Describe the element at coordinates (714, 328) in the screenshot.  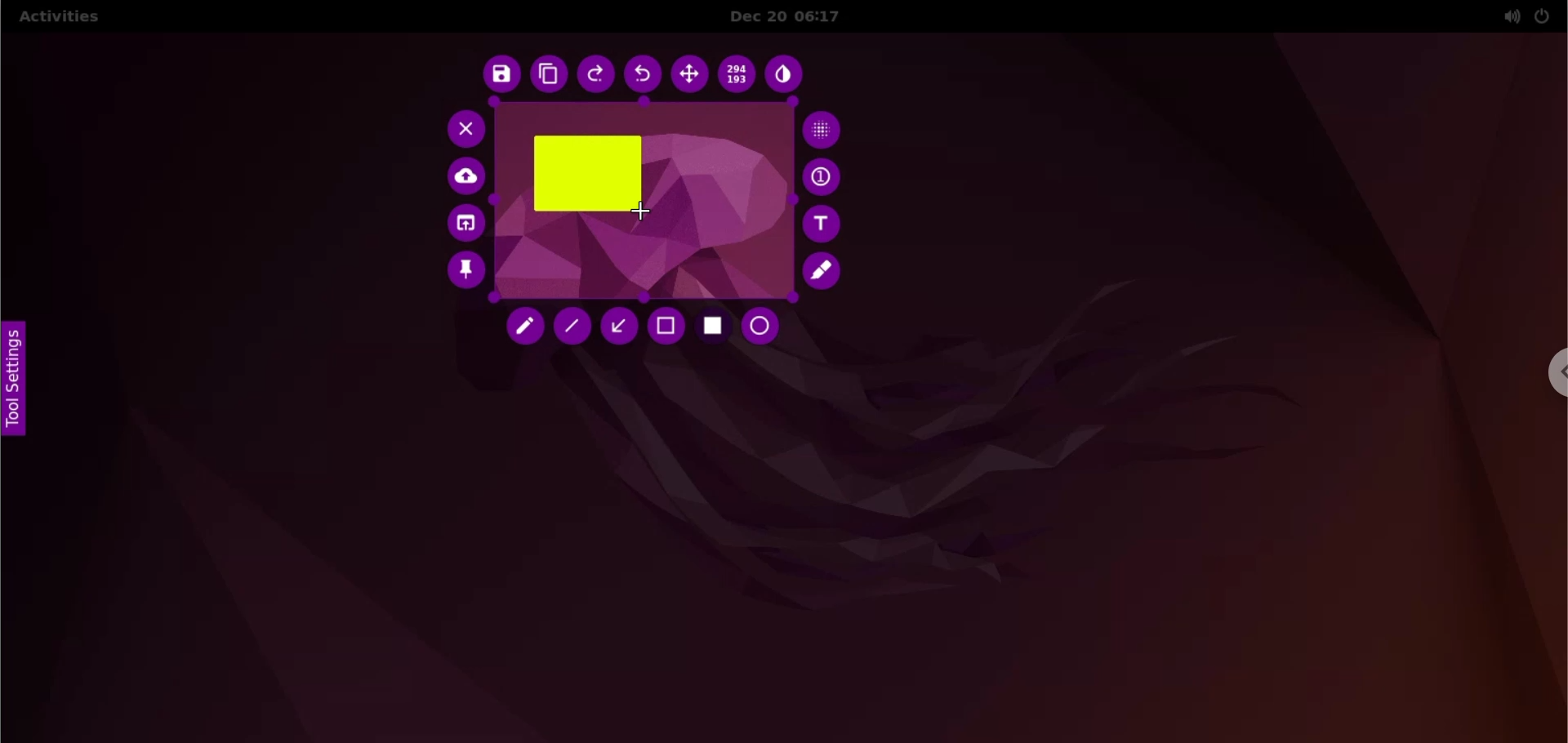
I see `rectangle tool` at that location.